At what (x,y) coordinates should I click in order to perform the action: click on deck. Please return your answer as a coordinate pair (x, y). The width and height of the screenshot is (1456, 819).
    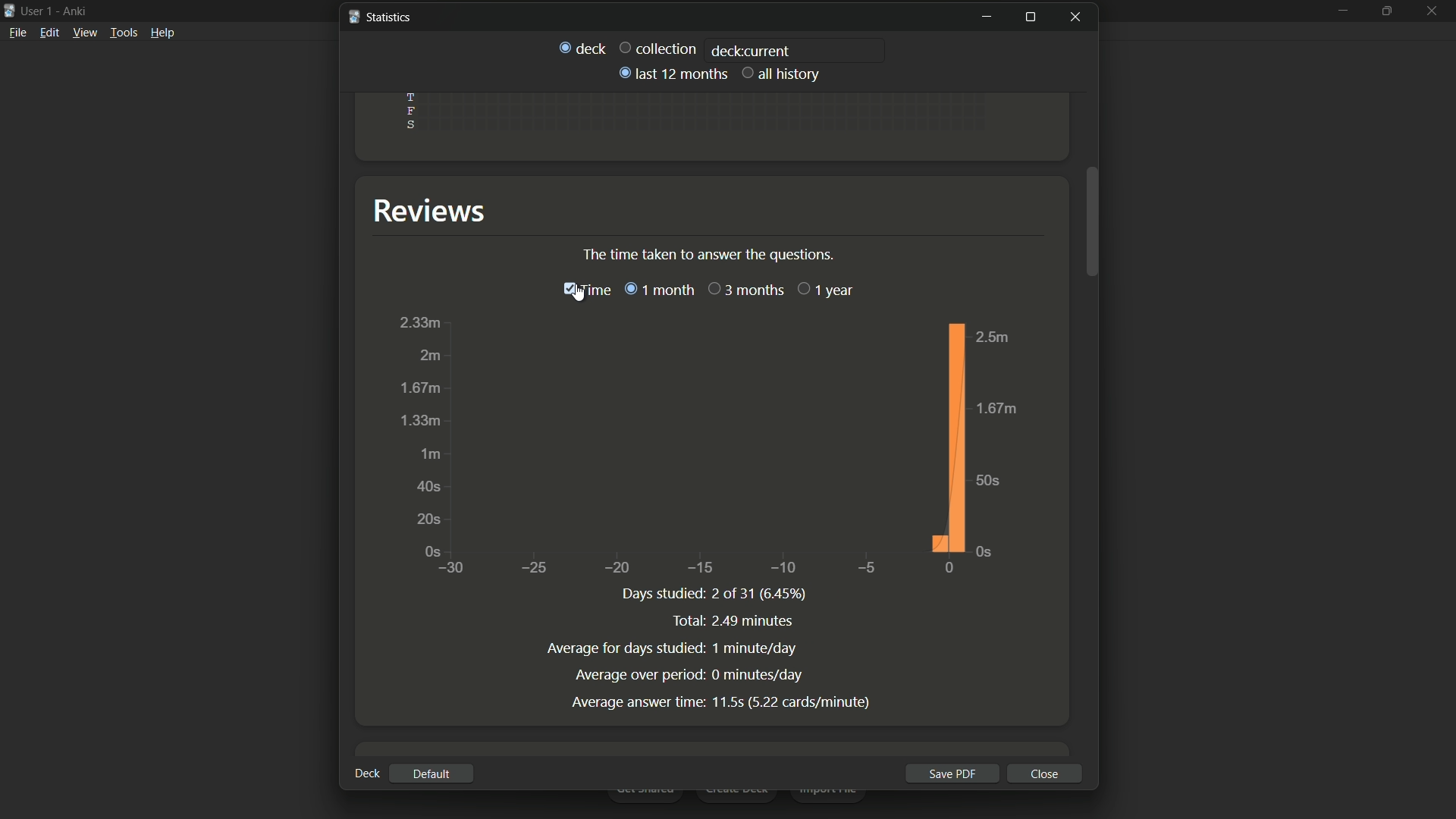
    Looking at the image, I should click on (366, 773).